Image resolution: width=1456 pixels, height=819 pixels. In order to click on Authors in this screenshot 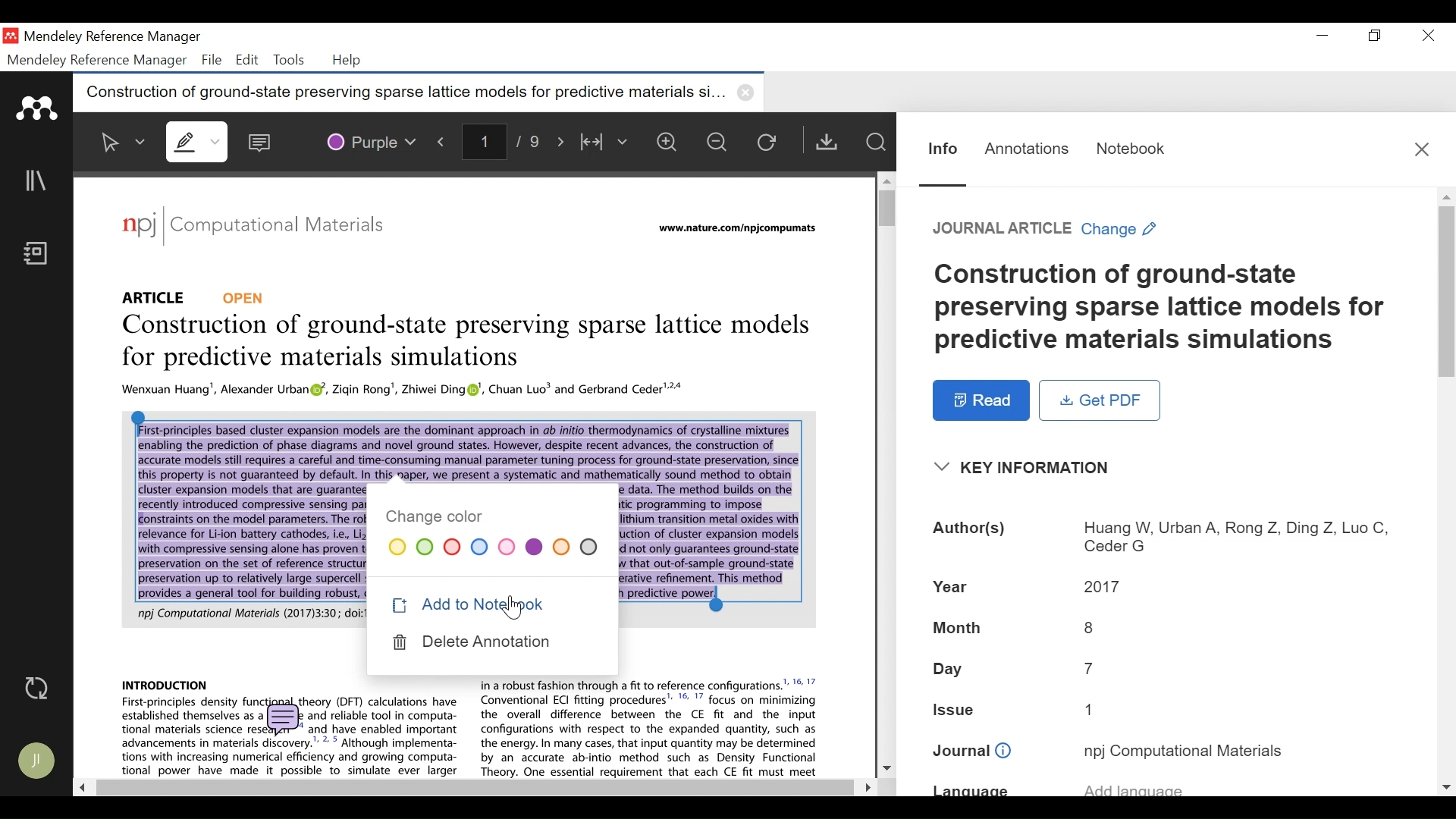, I will do `click(1235, 538)`.